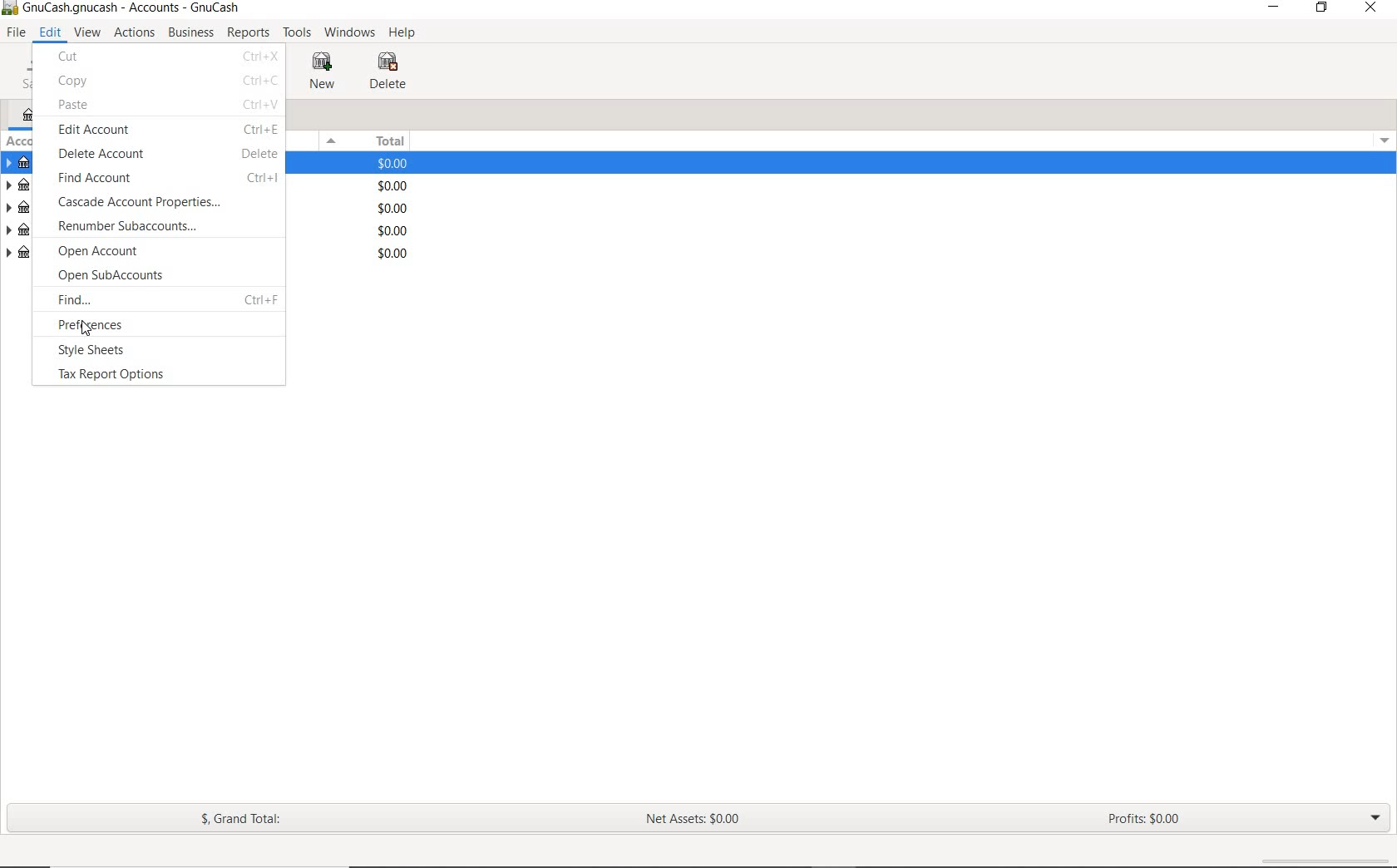 The height and width of the screenshot is (868, 1397). What do you see at coordinates (166, 131) in the screenshot?
I see `EDIT ACCOUNT` at bounding box center [166, 131].